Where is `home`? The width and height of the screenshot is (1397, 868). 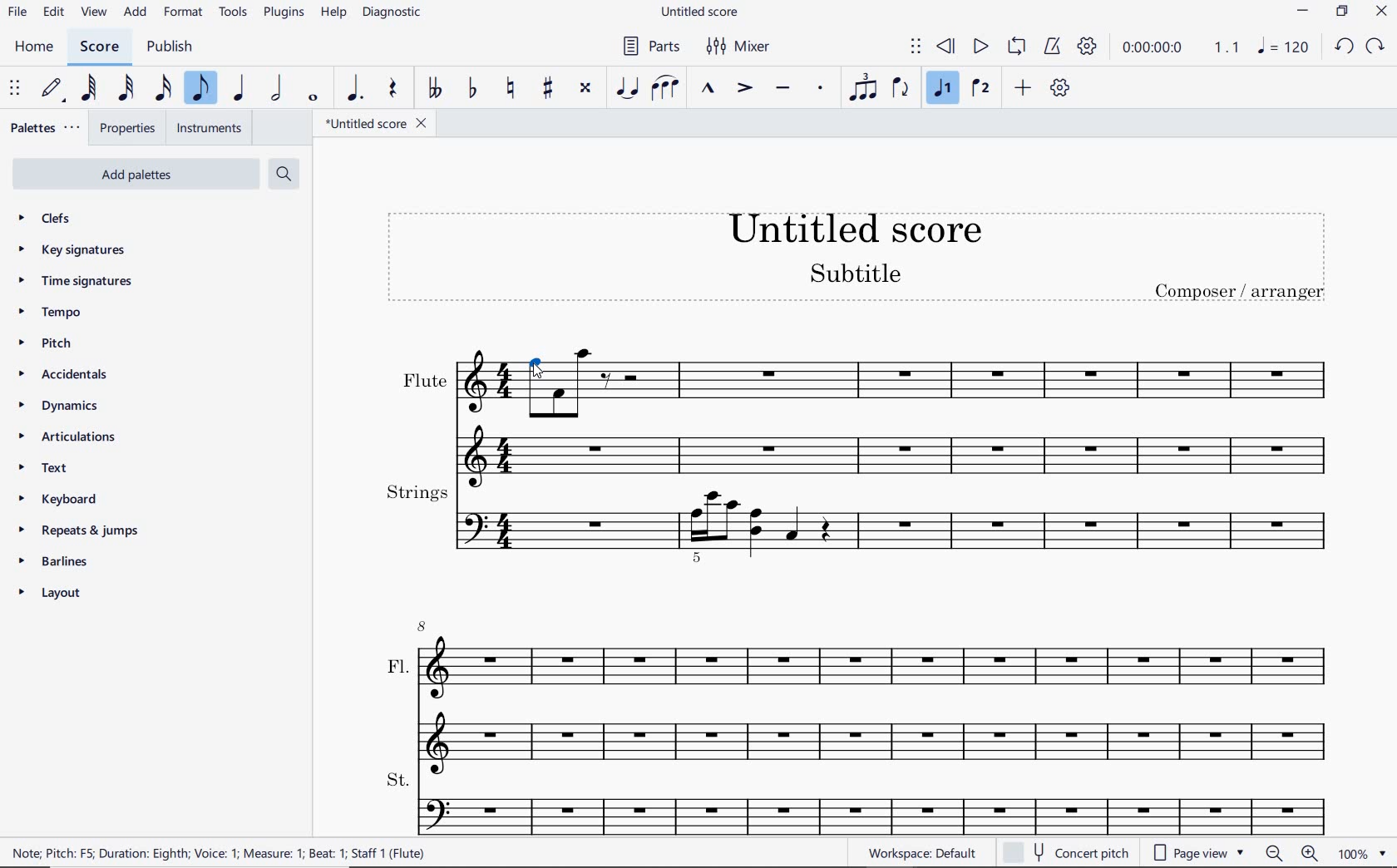 home is located at coordinates (37, 48).